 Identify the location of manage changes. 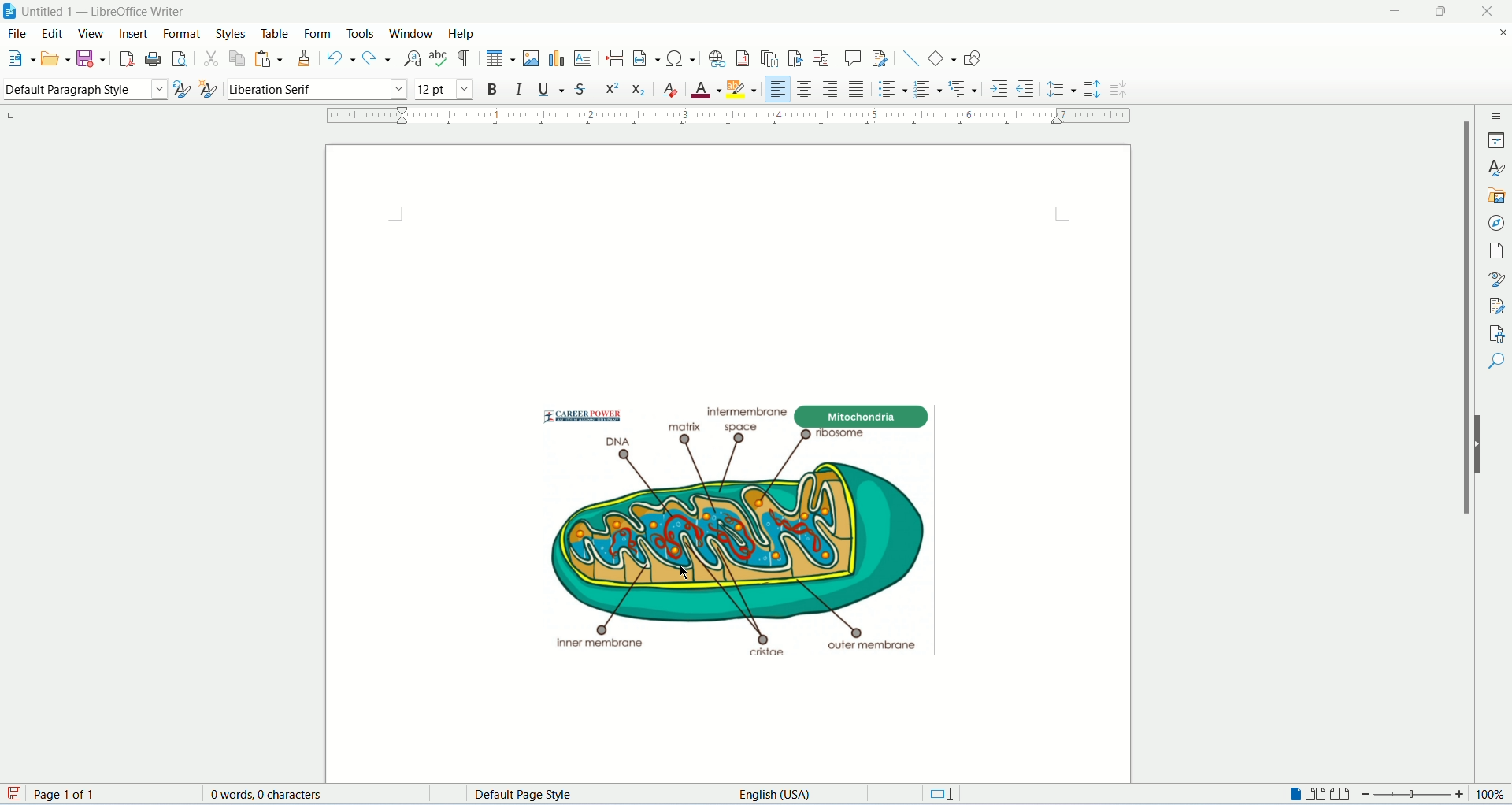
(1497, 305).